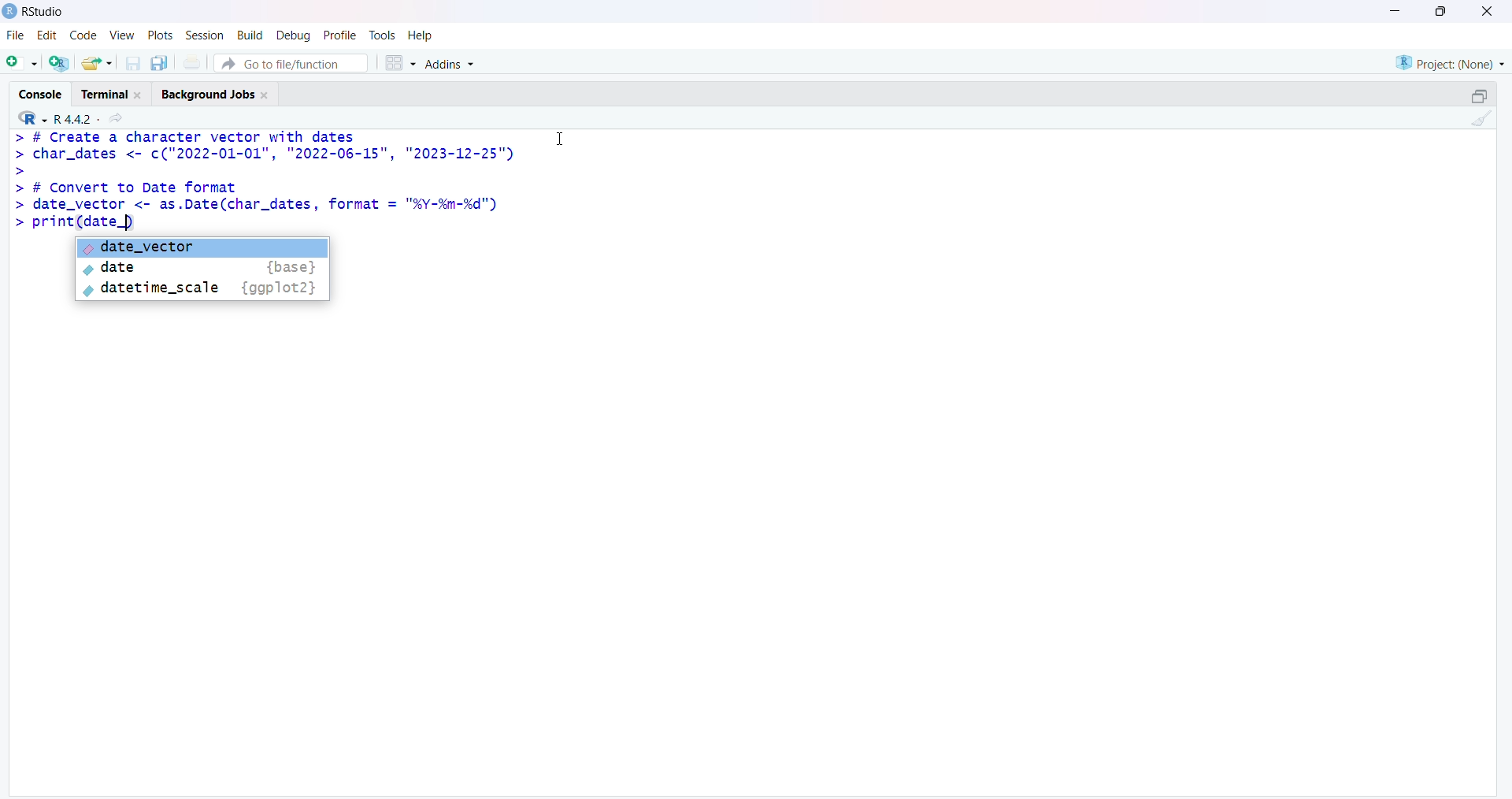  Describe the element at coordinates (34, 15) in the screenshot. I see `RStudio` at that location.